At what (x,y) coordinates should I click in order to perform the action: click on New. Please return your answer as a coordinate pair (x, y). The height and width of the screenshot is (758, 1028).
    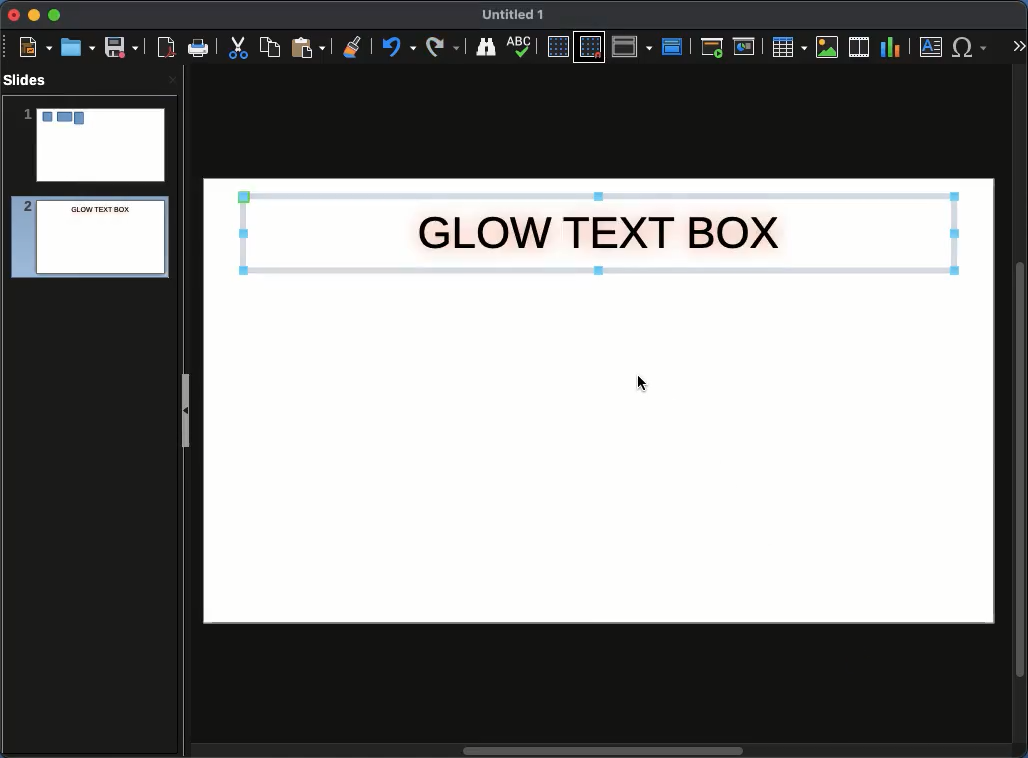
    Looking at the image, I should click on (35, 46).